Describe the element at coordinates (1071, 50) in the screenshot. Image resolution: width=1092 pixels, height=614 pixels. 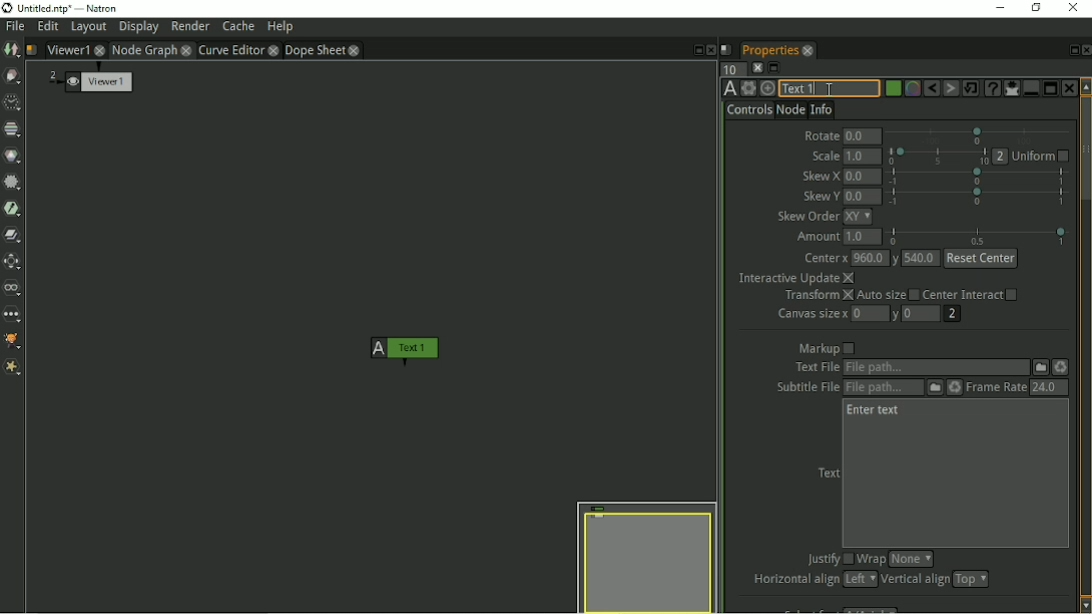
I see `Float pane` at that location.